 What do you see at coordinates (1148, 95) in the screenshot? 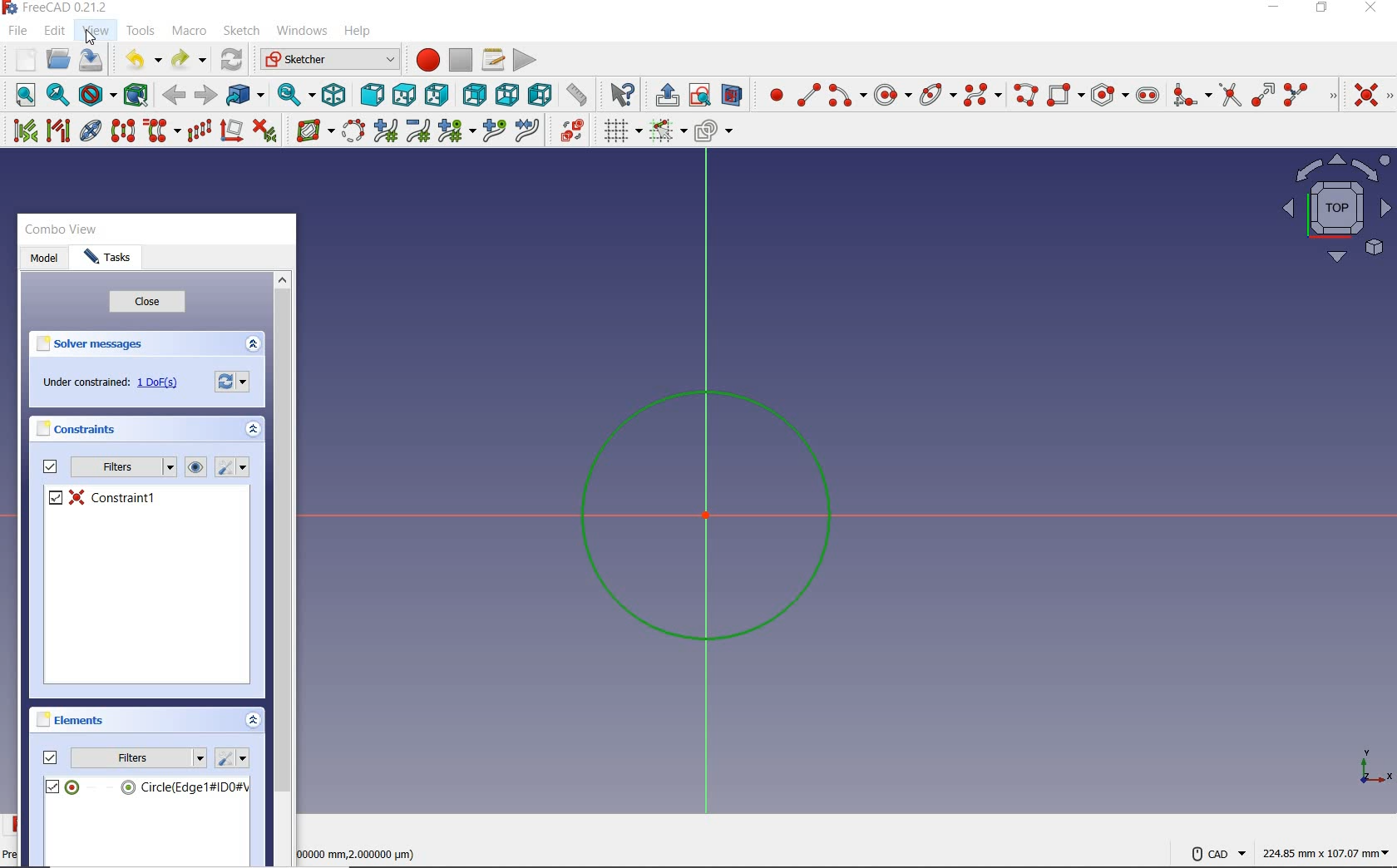
I see `create slot` at bounding box center [1148, 95].